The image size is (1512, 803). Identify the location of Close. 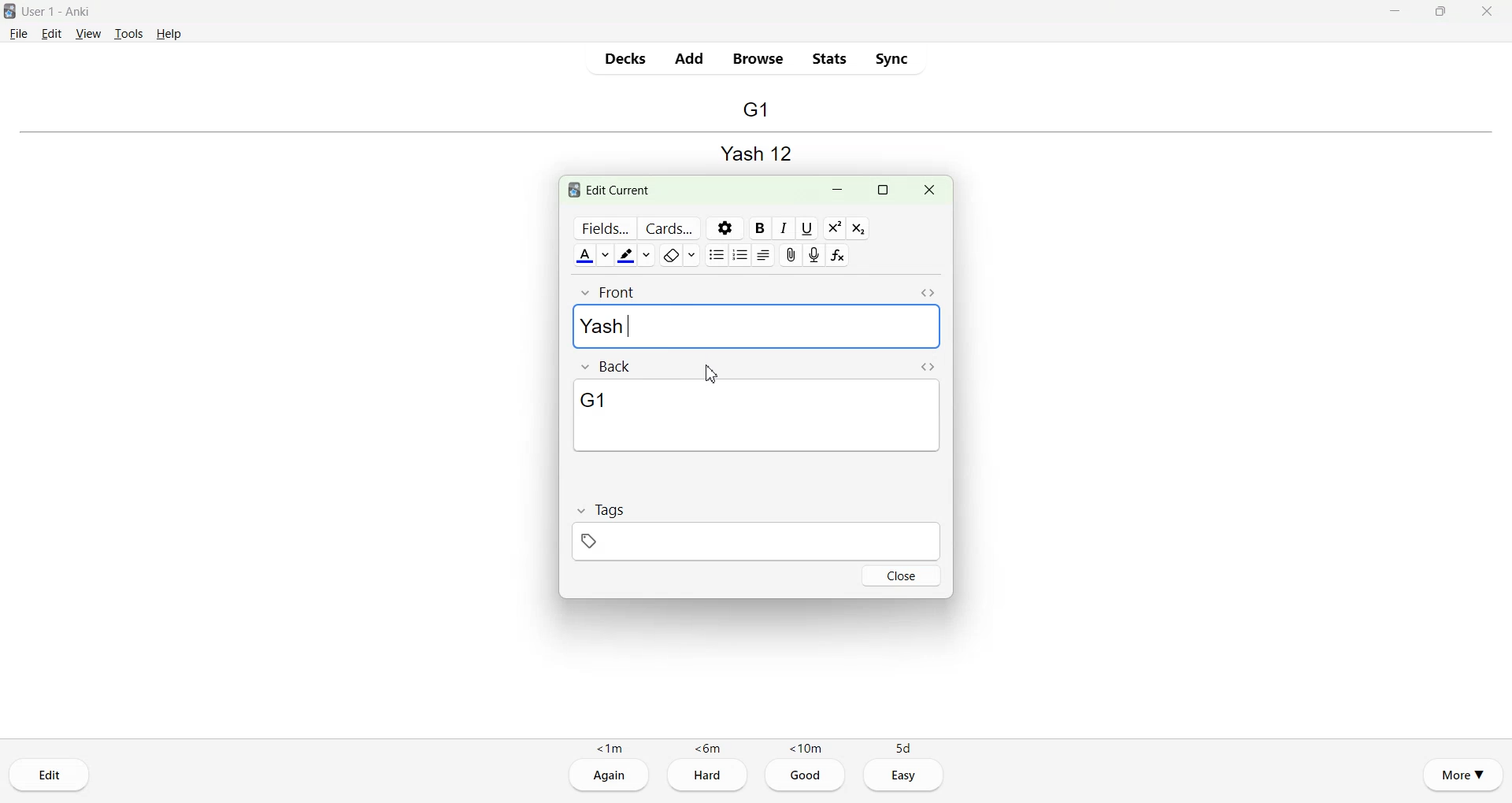
(1486, 11).